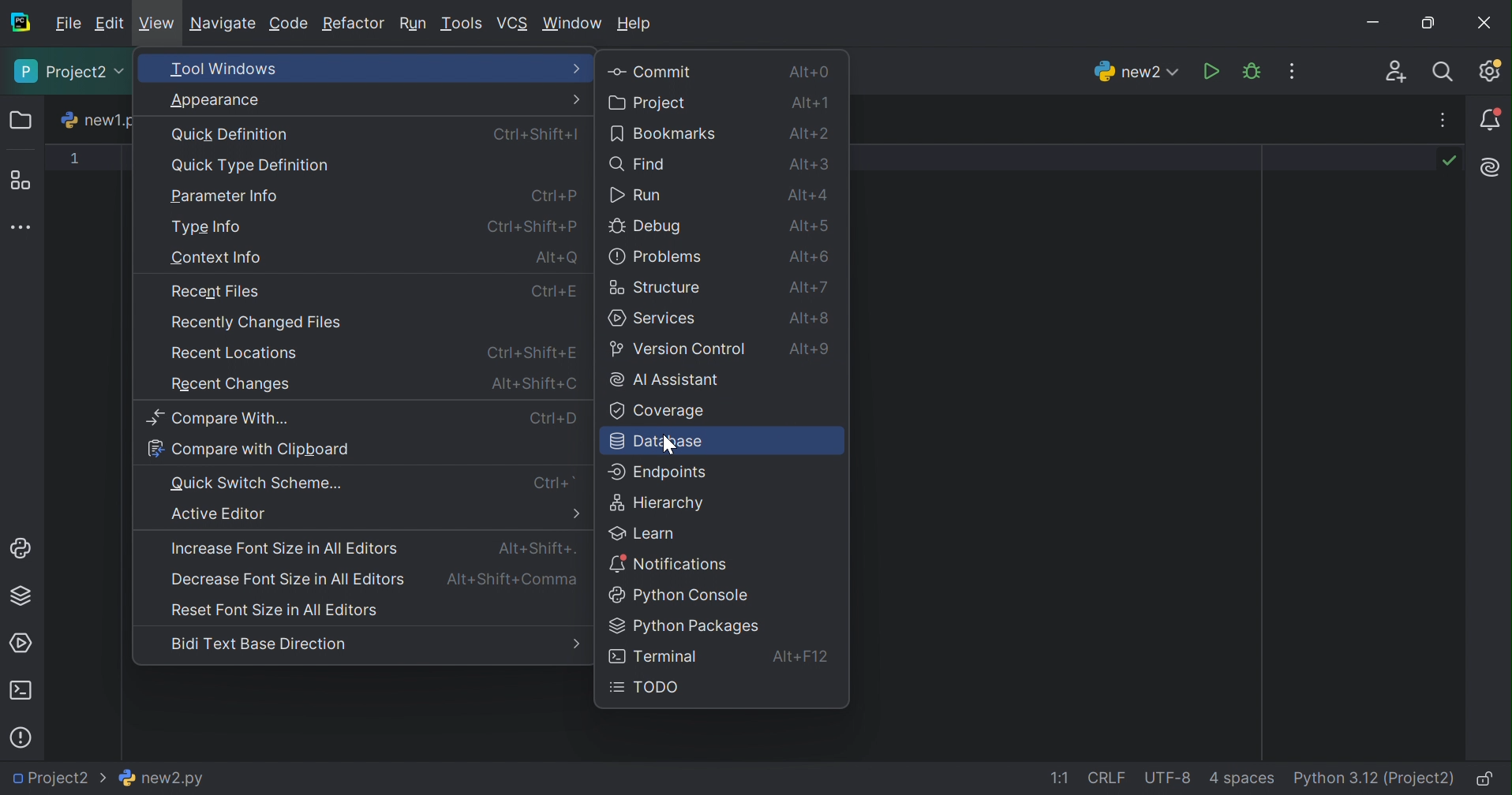 This screenshot has height=795, width=1512. What do you see at coordinates (1397, 73) in the screenshot?
I see `Code with me` at bounding box center [1397, 73].